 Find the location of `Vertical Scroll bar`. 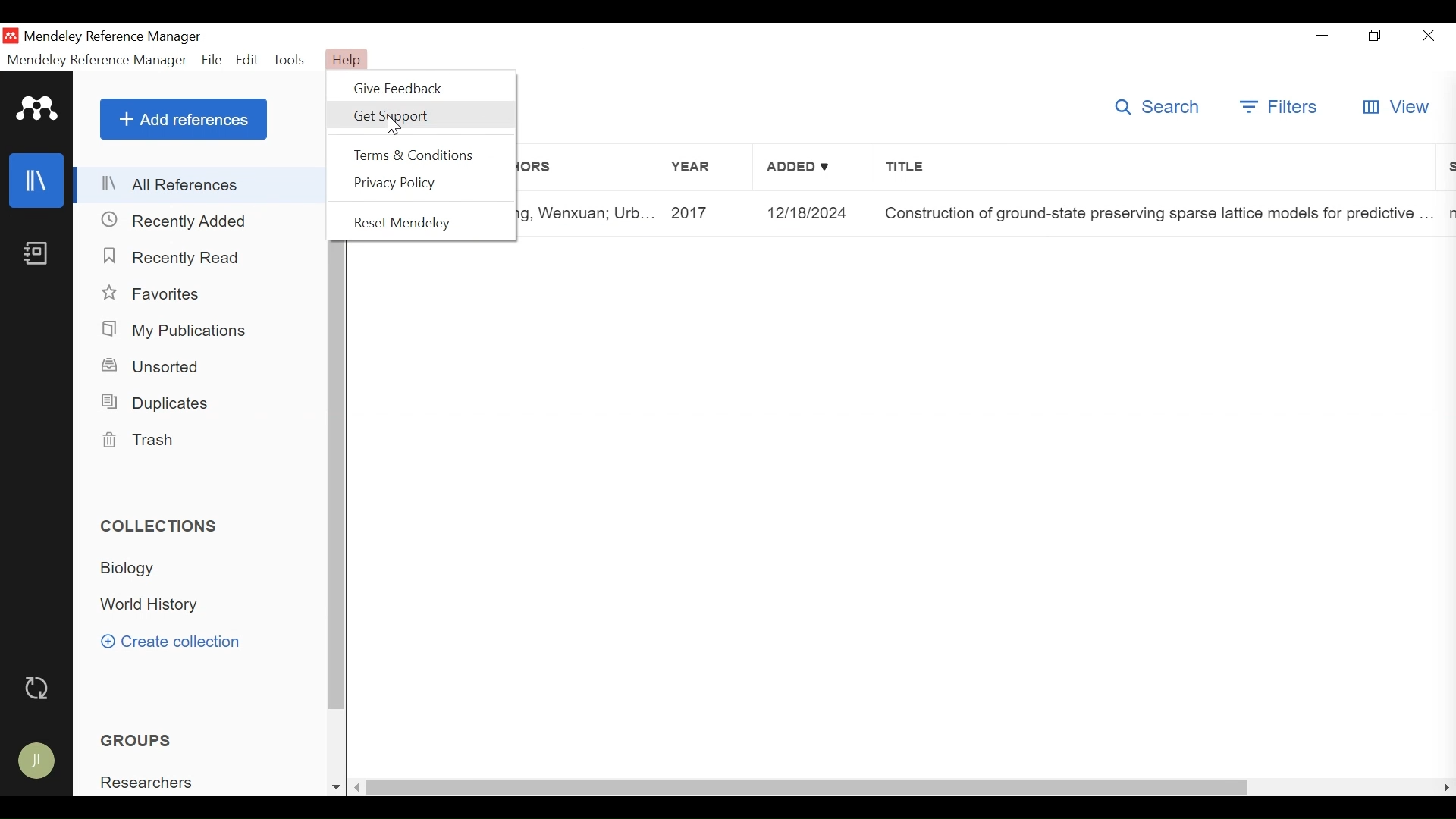

Vertical Scroll bar is located at coordinates (809, 788).